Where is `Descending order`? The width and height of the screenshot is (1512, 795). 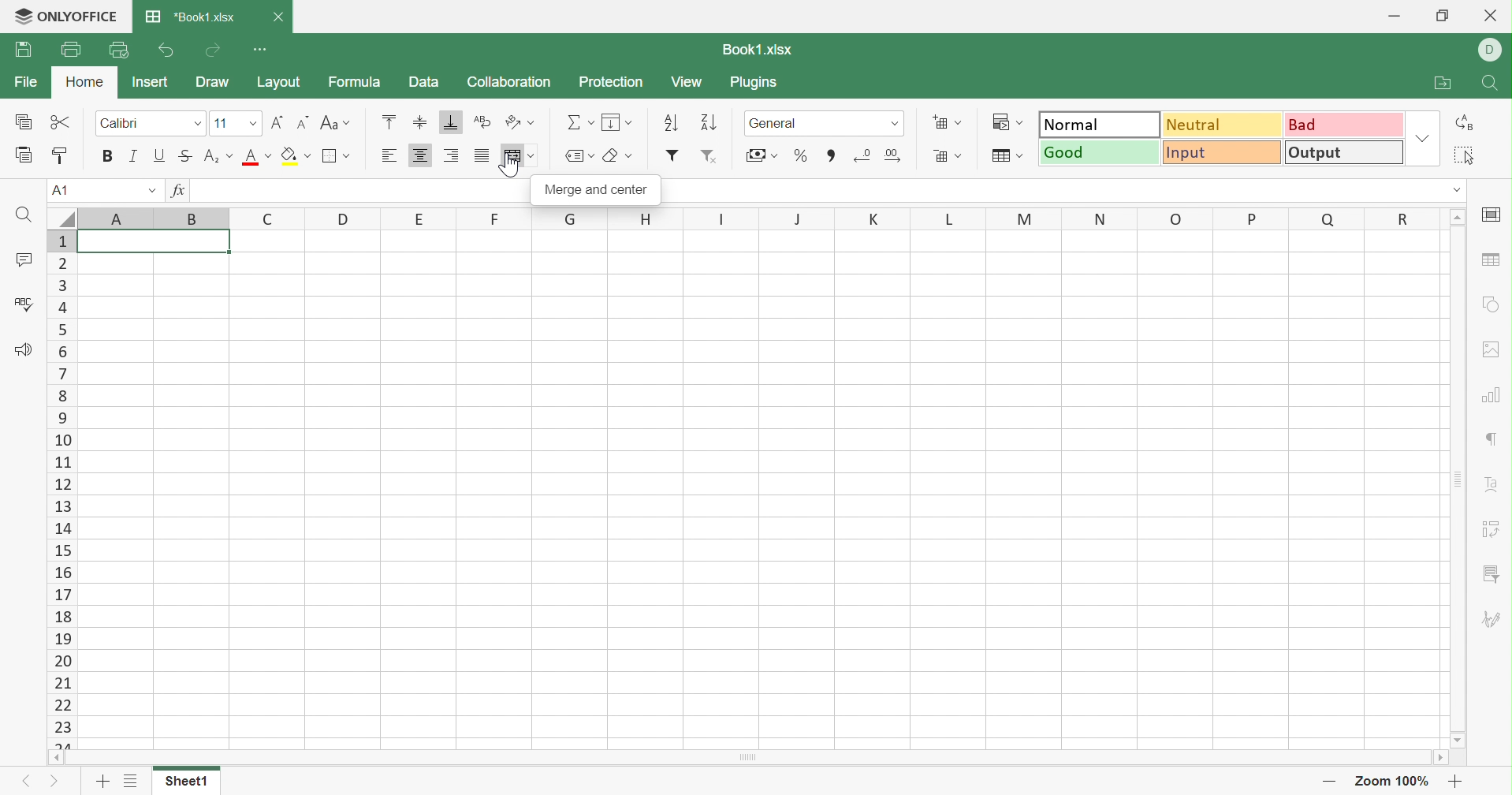
Descending order is located at coordinates (710, 123).